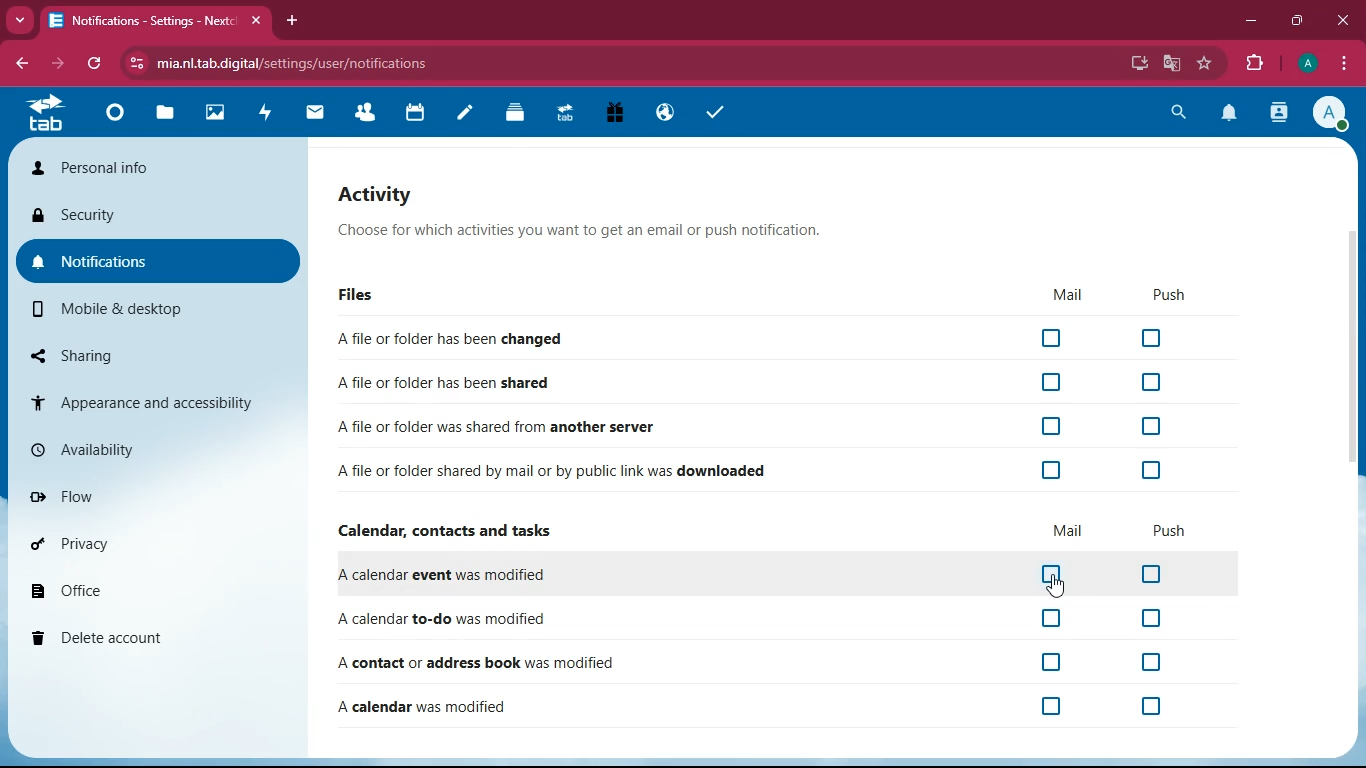  I want to click on Deck, so click(517, 115).